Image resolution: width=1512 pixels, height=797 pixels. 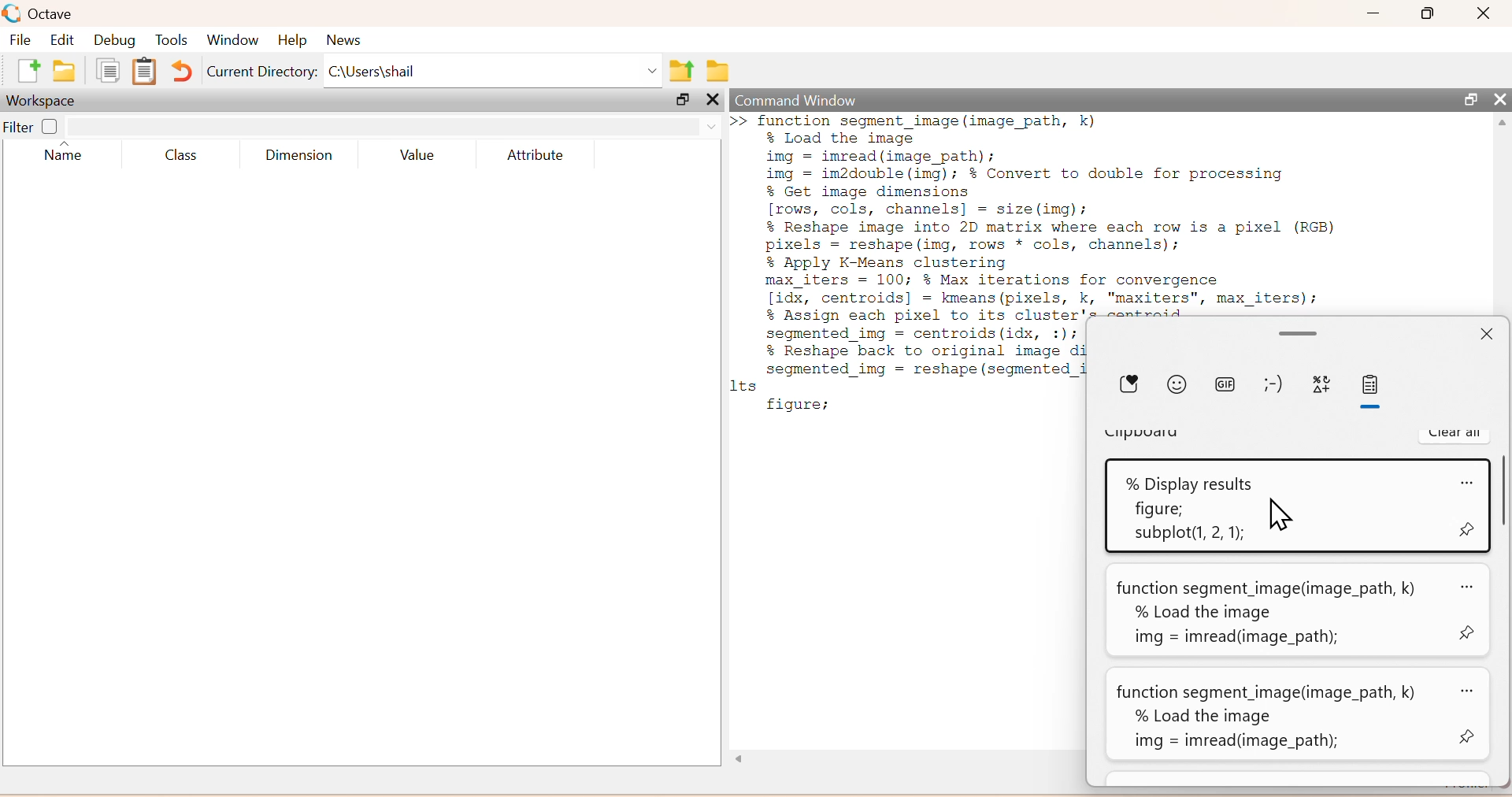 What do you see at coordinates (1041, 219) in the screenshot?
I see `function segment_image (image_path, k)% Load the imageimg = imread(image_path);img = im2double (img); % Convert to double for processing% Get image dimensions[rows, cols, channels] = size (img);% Reshape image into 2D matrix where each row is a pixel (RGB)pixels = reshape (img, rows * cols, channels);% Apply K-Means clusteringmax_iters = 100; % Max iterations for convergence[idx, centroids] = kmeans (pixels, k, "maxiters", max_iters);% Assign each pixel to its cluster's centroids` at bounding box center [1041, 219].